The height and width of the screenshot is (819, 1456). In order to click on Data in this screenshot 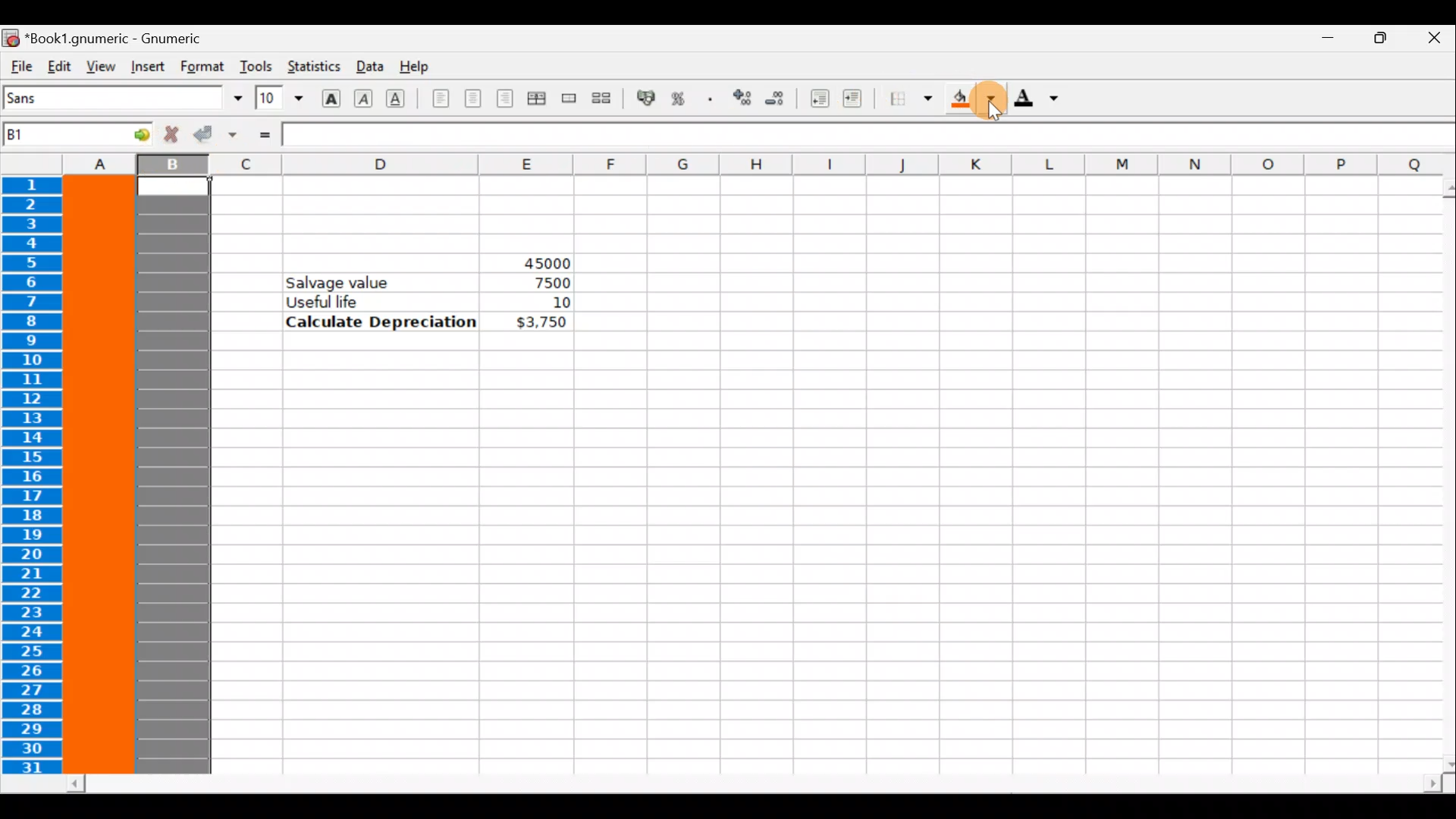, I will do `click(368, 65)`.